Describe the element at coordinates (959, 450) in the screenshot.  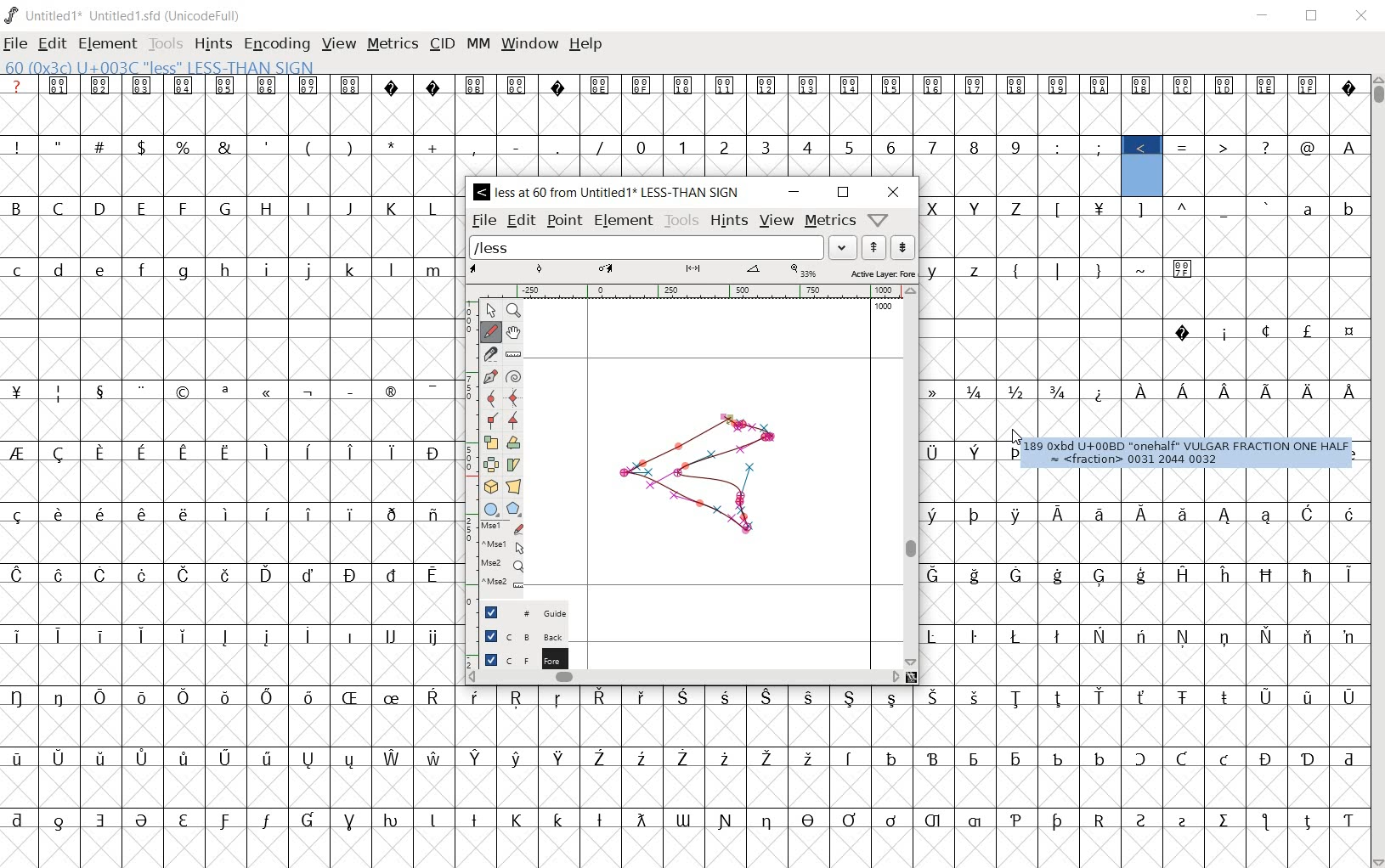
I see `special letters` at that location.